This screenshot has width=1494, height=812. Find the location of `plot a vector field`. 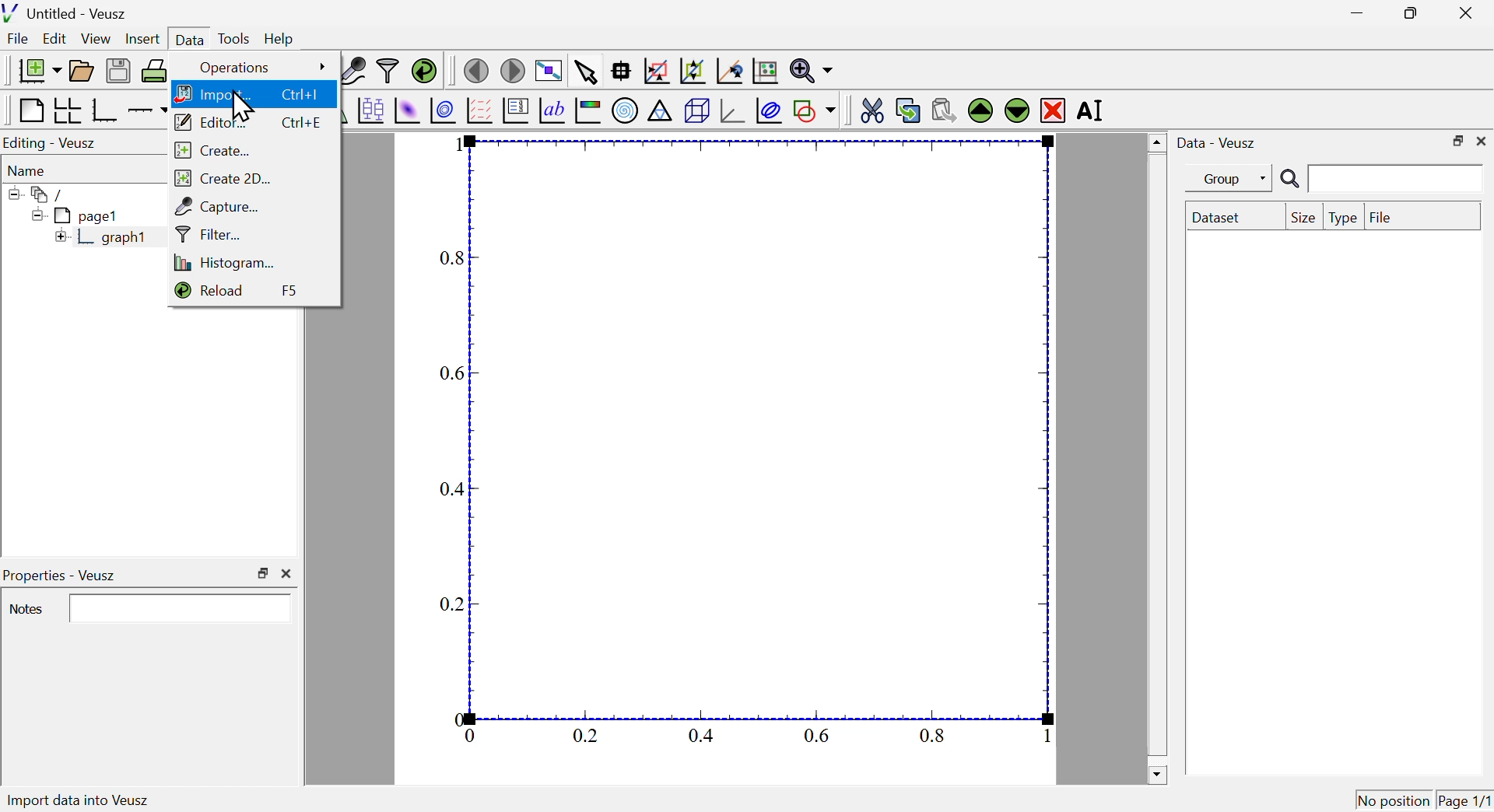

plot a vector field is located at coordinates (479, 110).